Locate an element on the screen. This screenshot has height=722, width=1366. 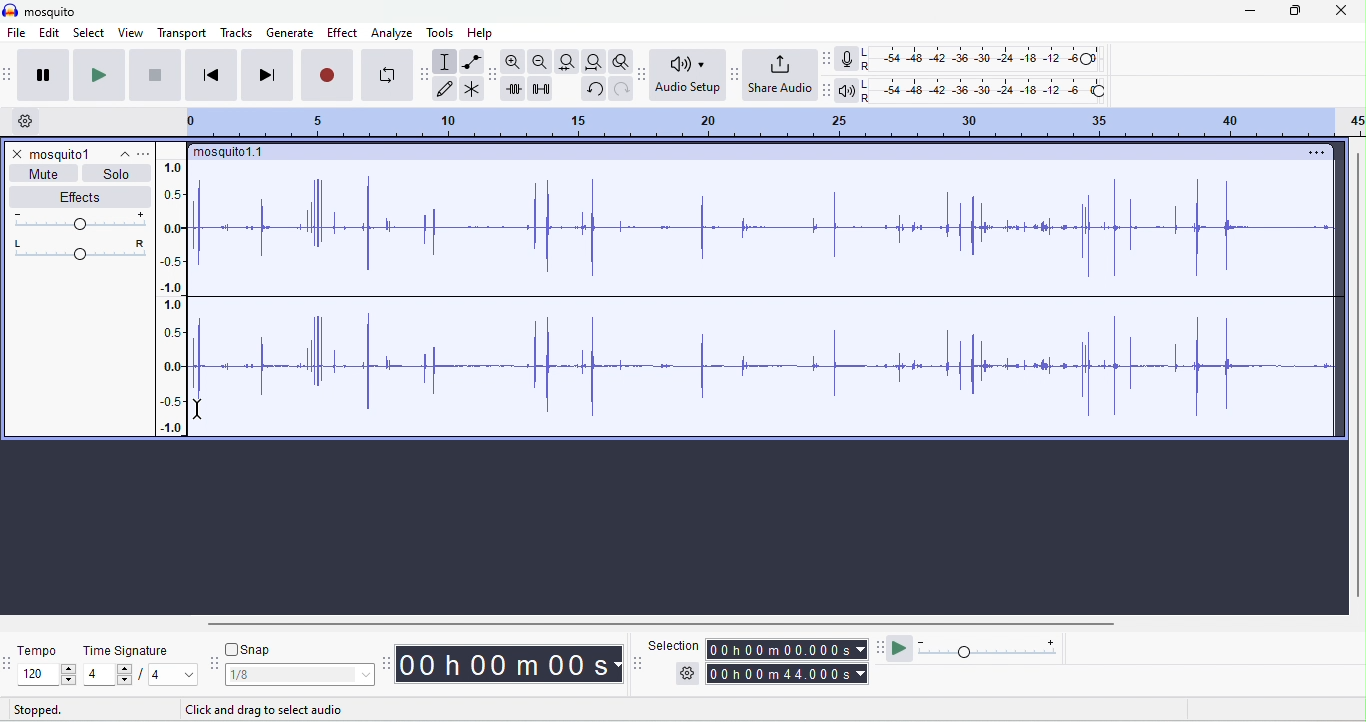
effects is located at coordinates (82, 195).